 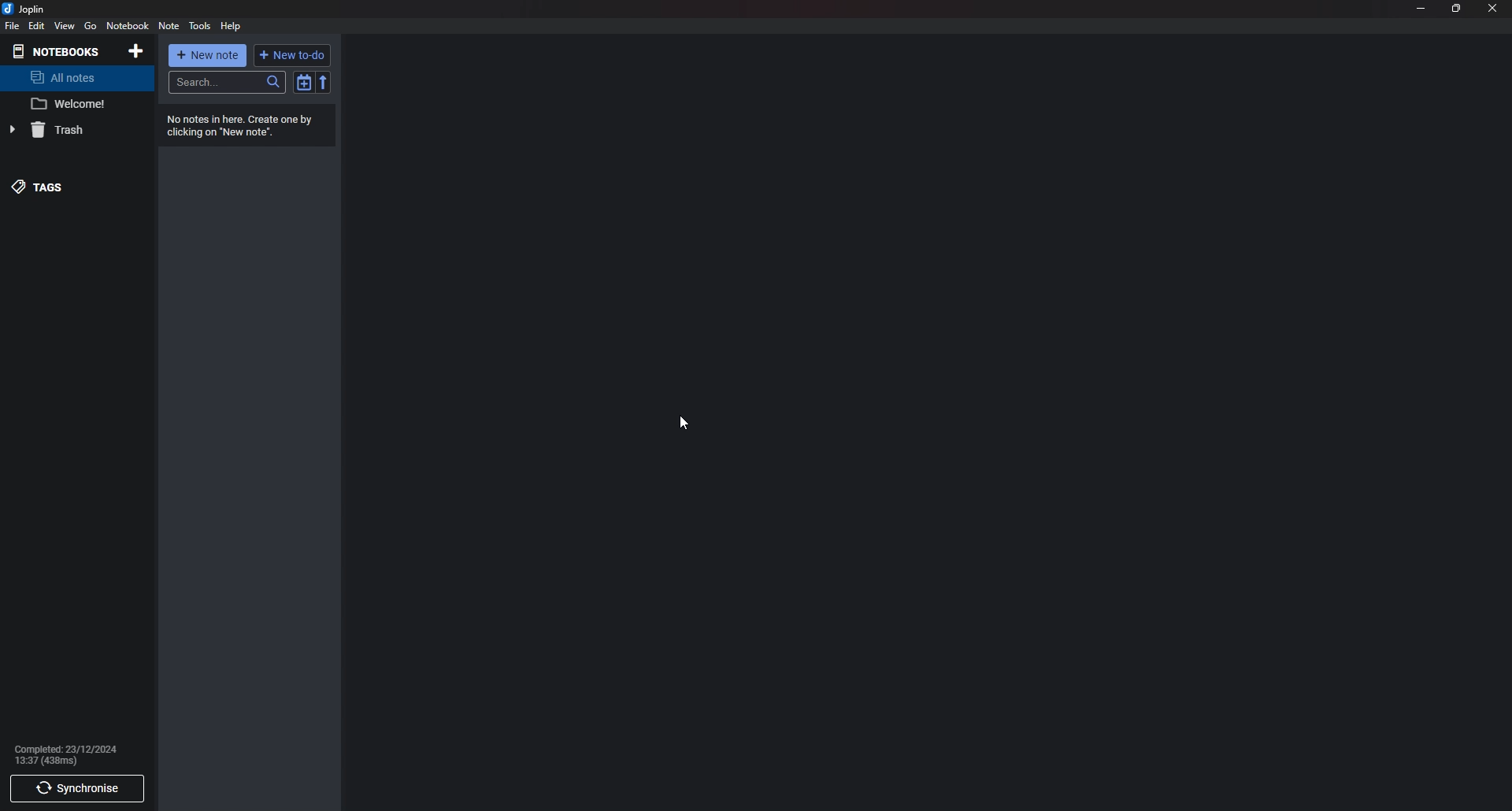 I want to click on Go, so click(x=90, y=25).